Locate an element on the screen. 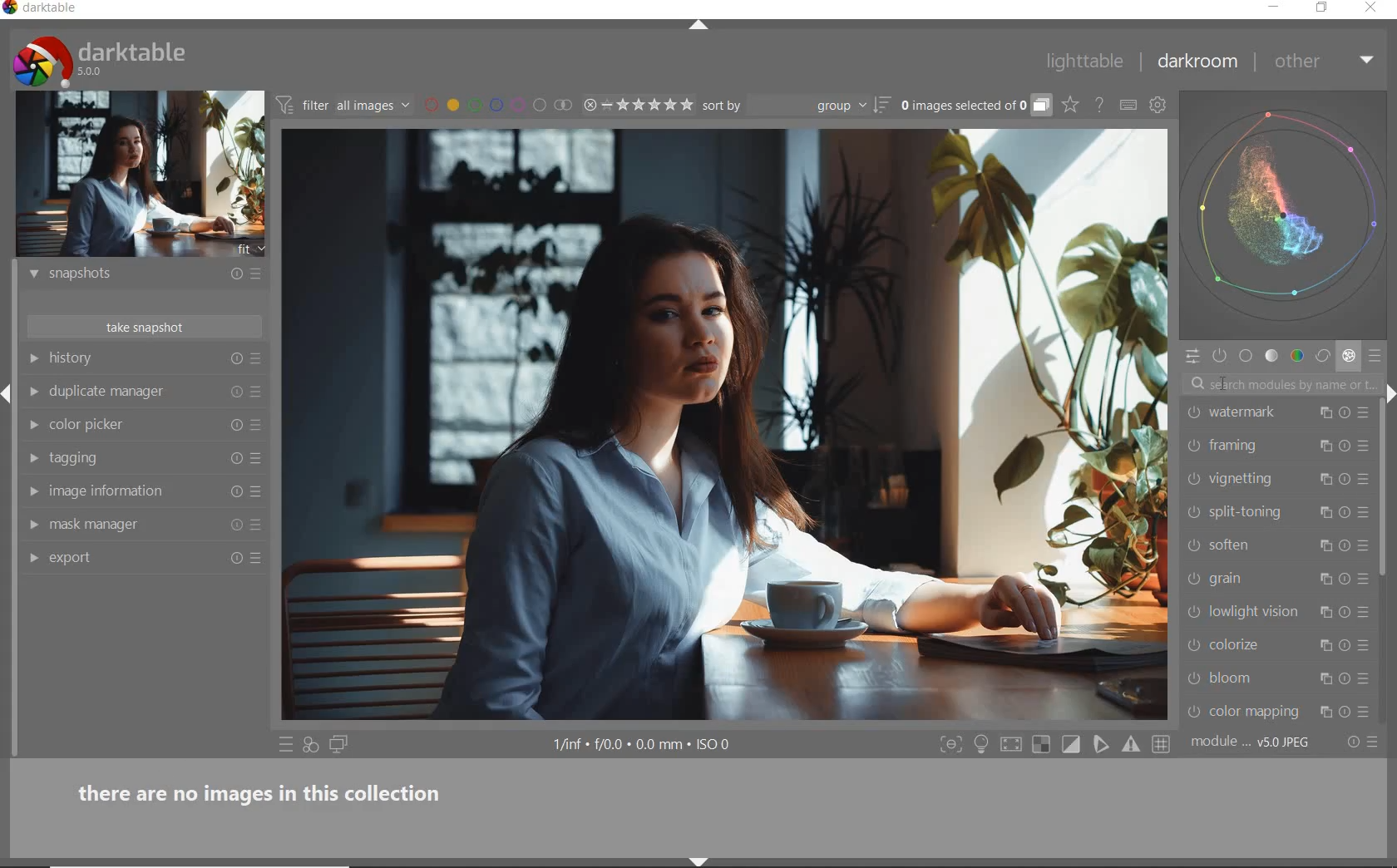 Image resolution: width=1397 pixels, height=868 pixels. show module is located at coordinates (33, 392).